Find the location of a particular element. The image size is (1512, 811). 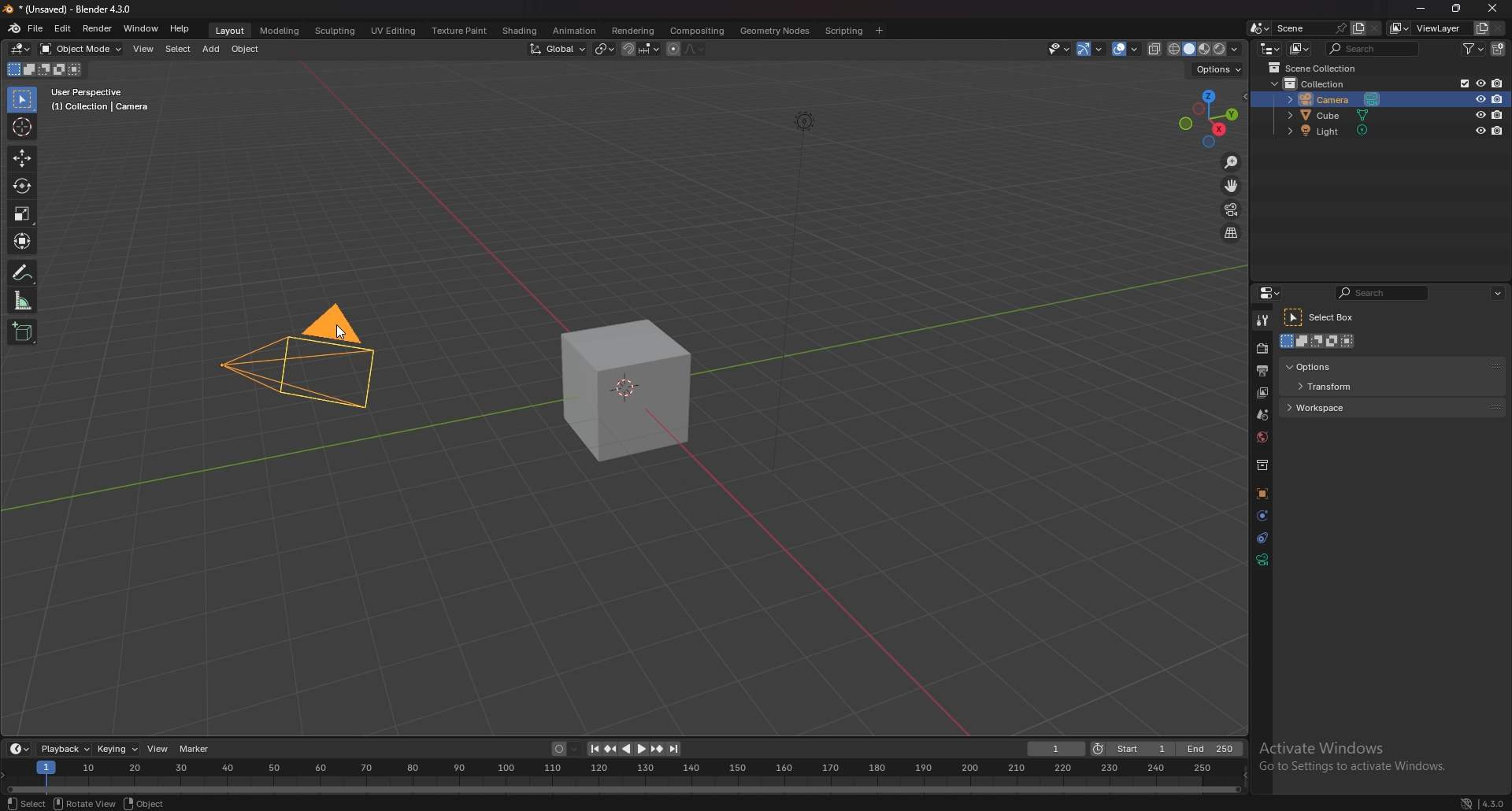

scale is located at coordinates (24, 213).